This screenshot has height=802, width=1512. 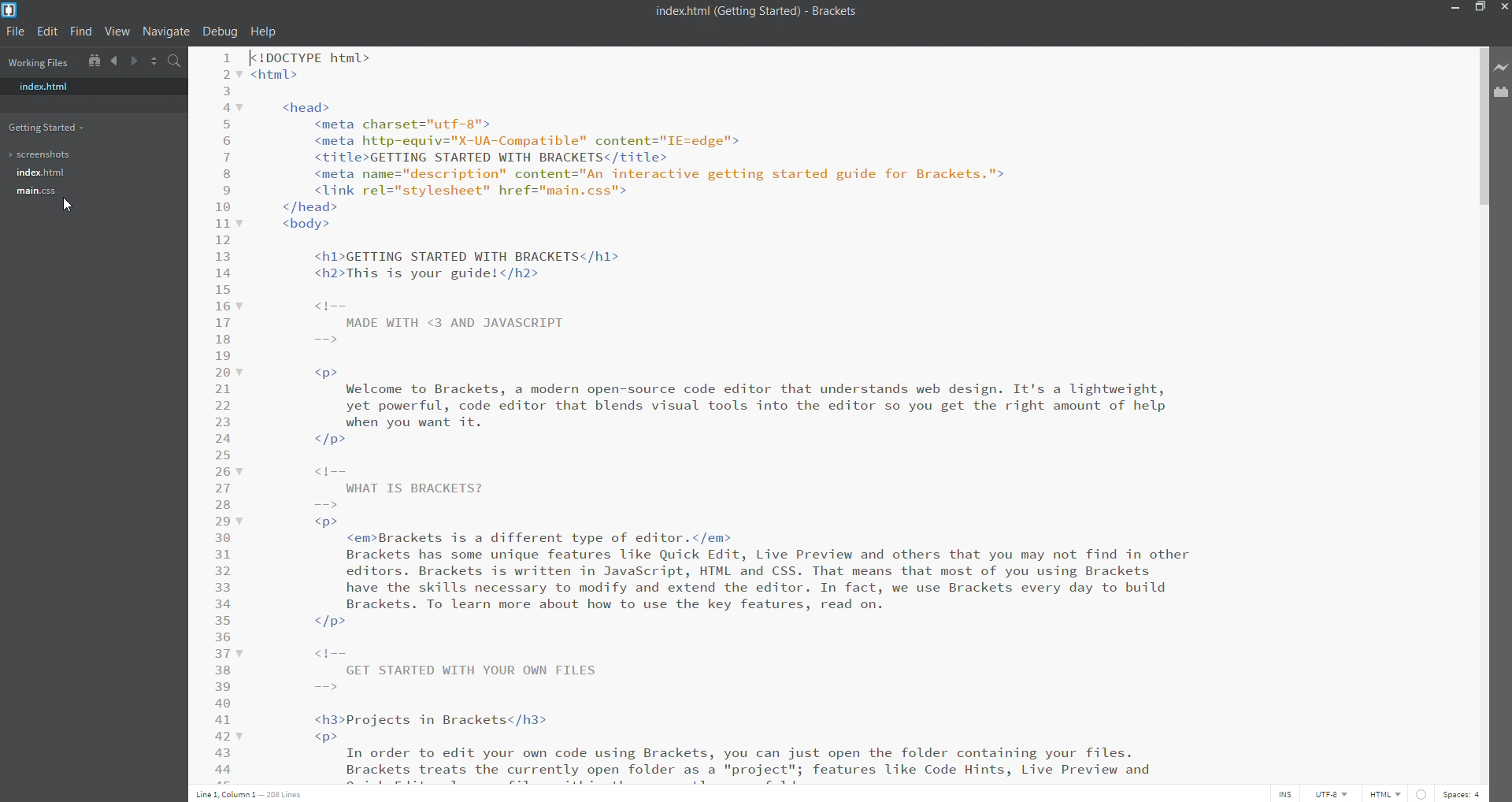 I want to click on screenshots, so click(x=83, y=155).